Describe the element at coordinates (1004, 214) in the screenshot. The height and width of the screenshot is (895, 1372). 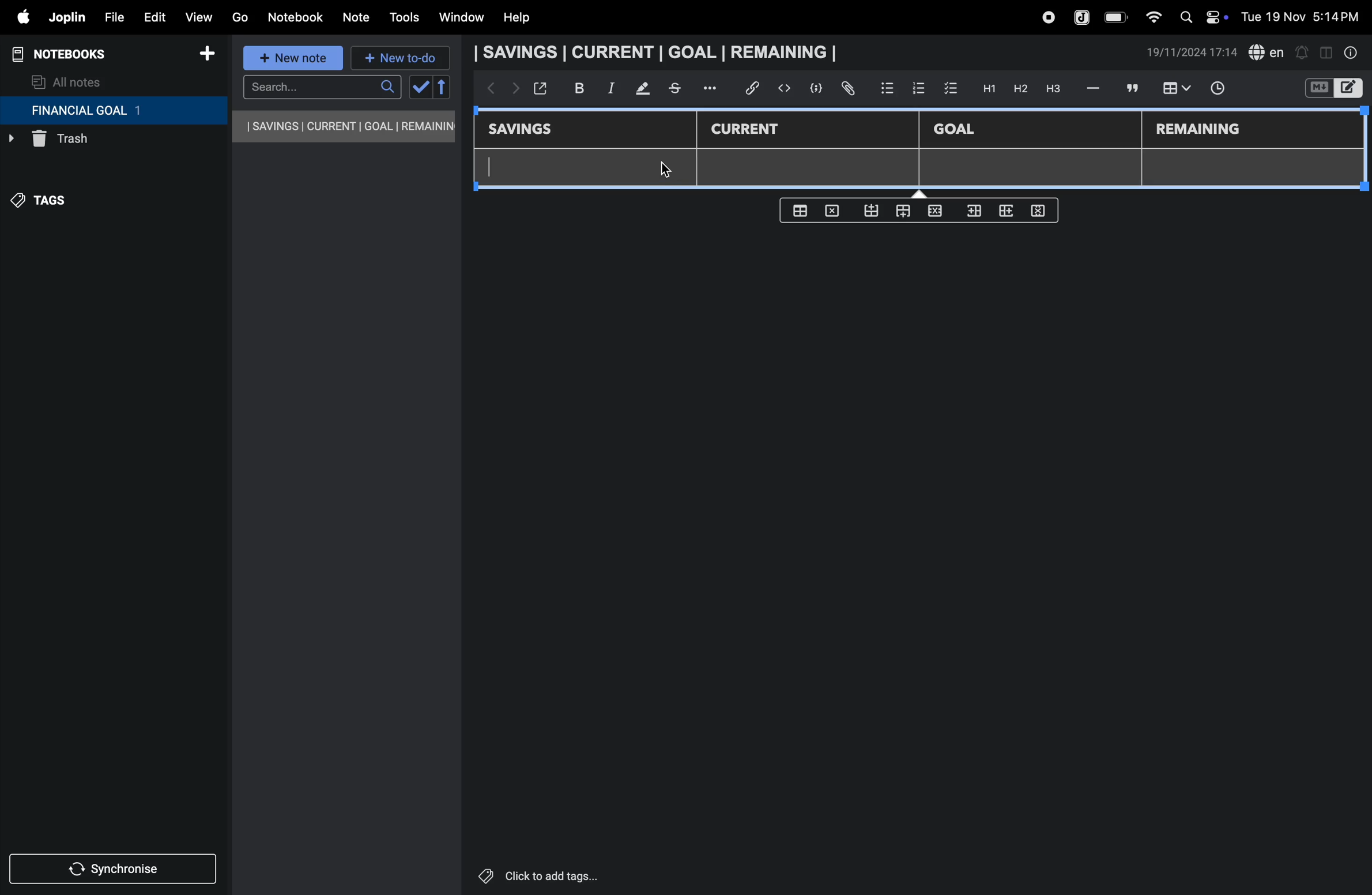
I see `add rows` at that location.